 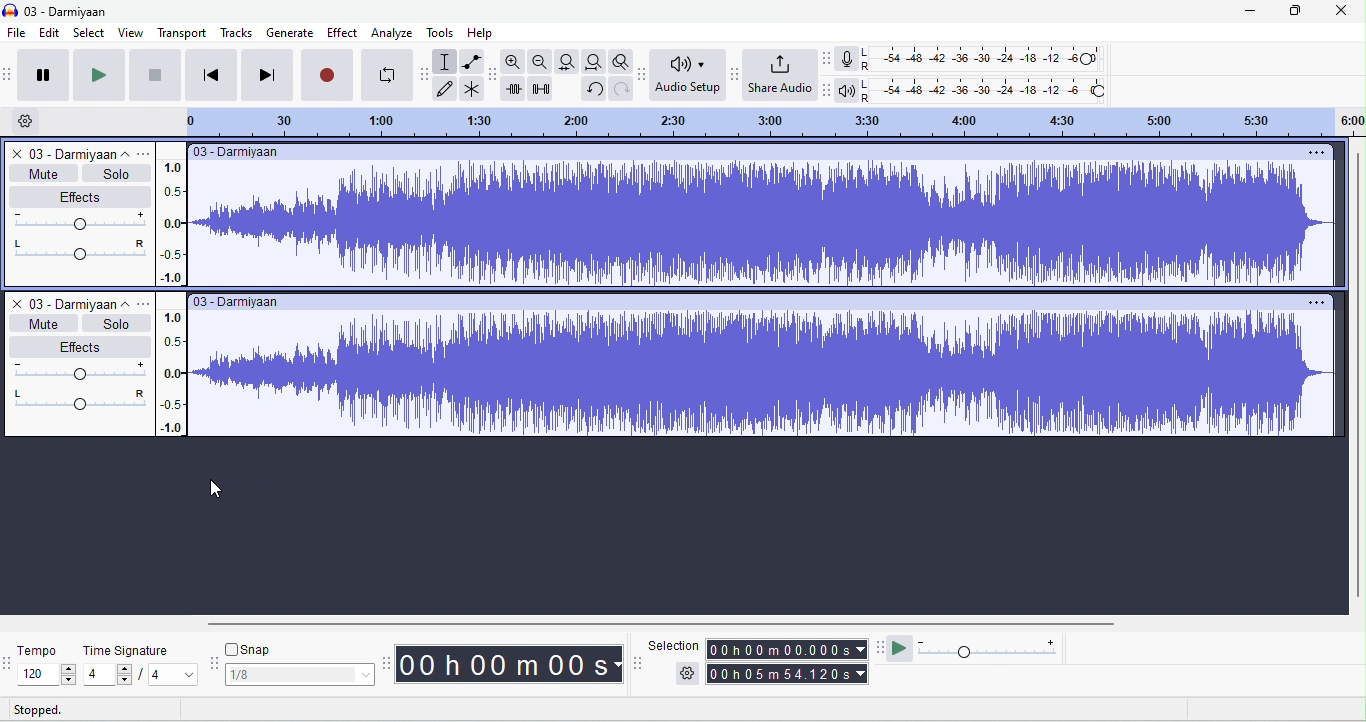 I want to click on playback level, so click(x=987, y=92).